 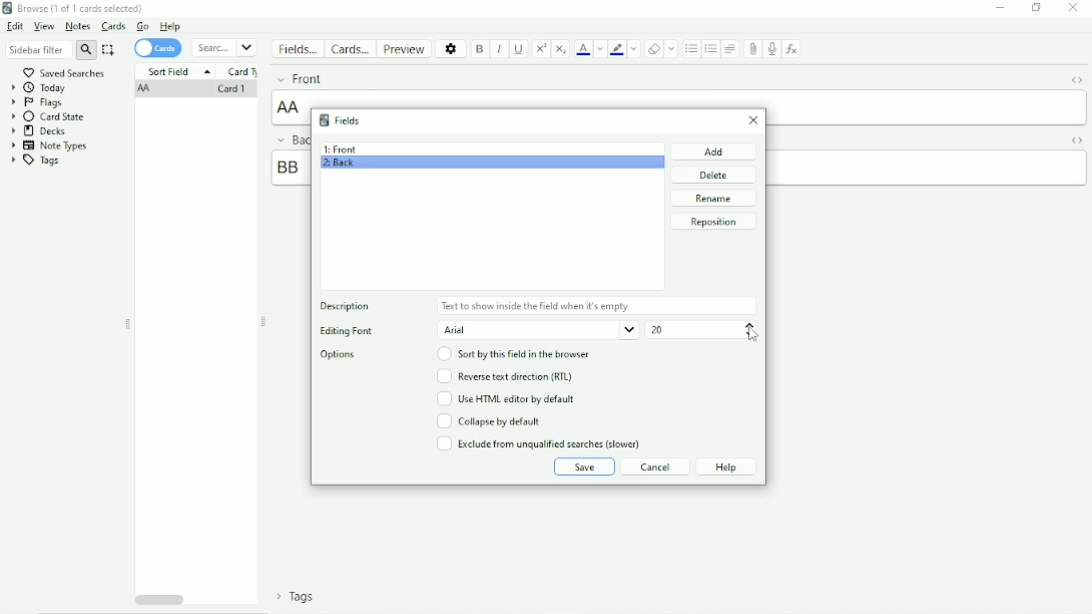 I want to click on Record audio, so click(x=770, y=49).